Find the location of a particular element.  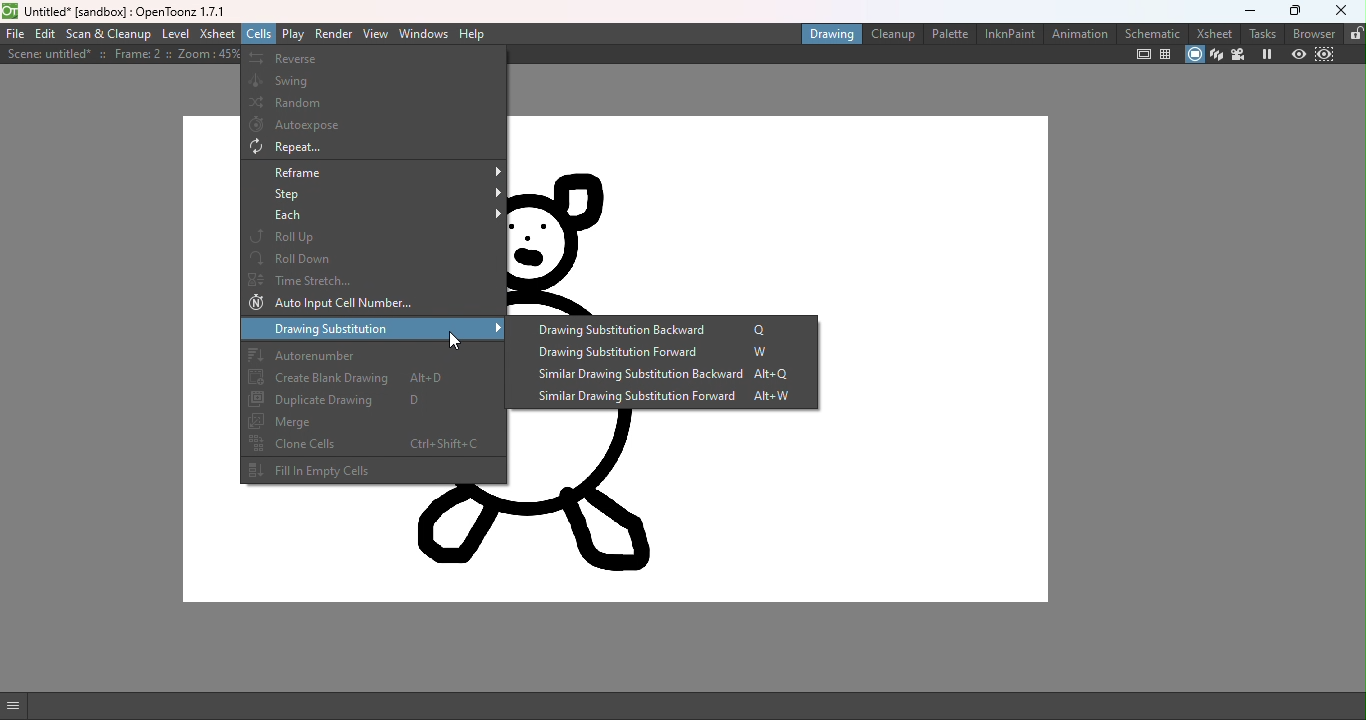

Palette is located at coordinates (949, 33).